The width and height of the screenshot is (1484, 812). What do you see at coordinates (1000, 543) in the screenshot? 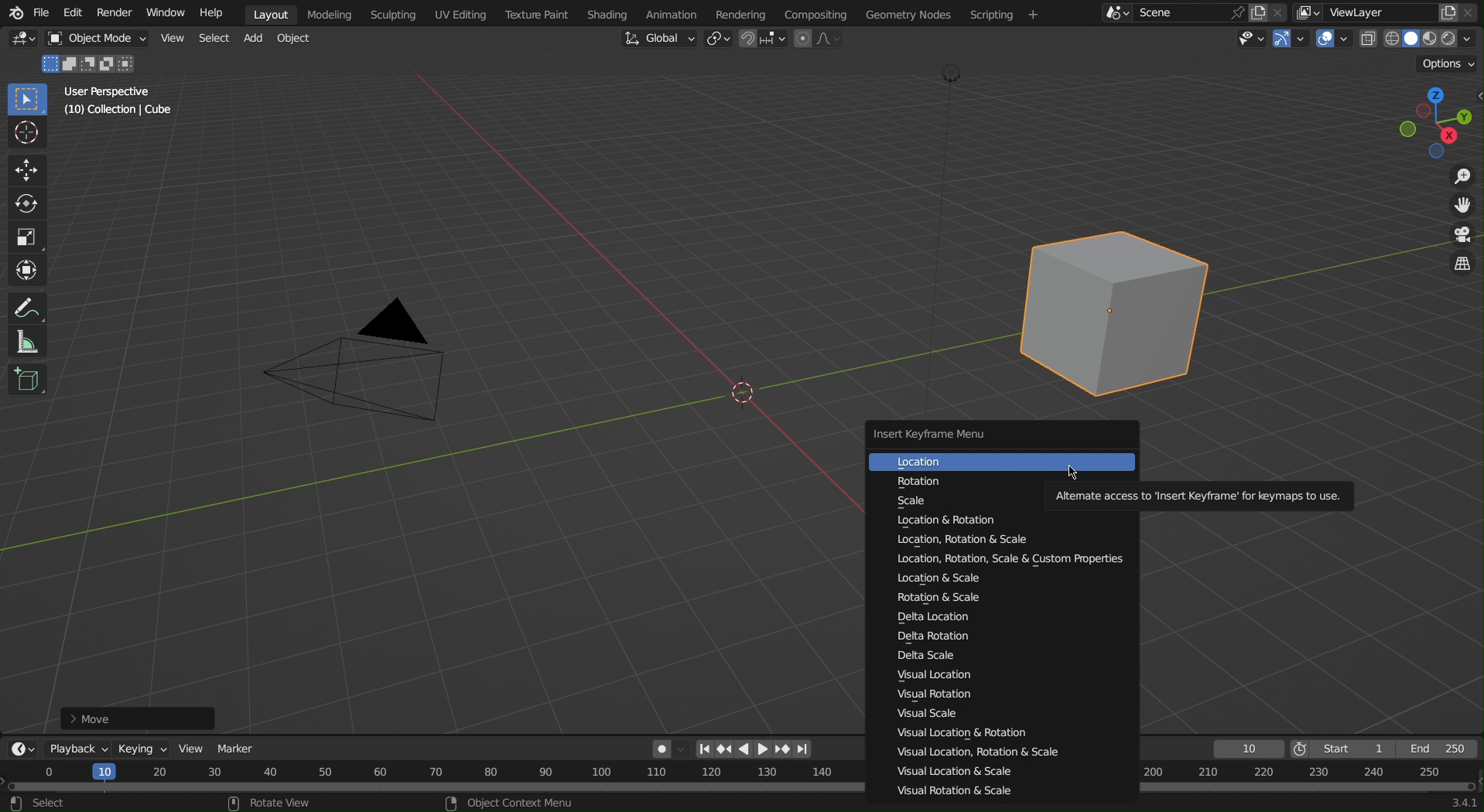
I see `Location, Rotation & Scale` at bounding box center [1000, 543].